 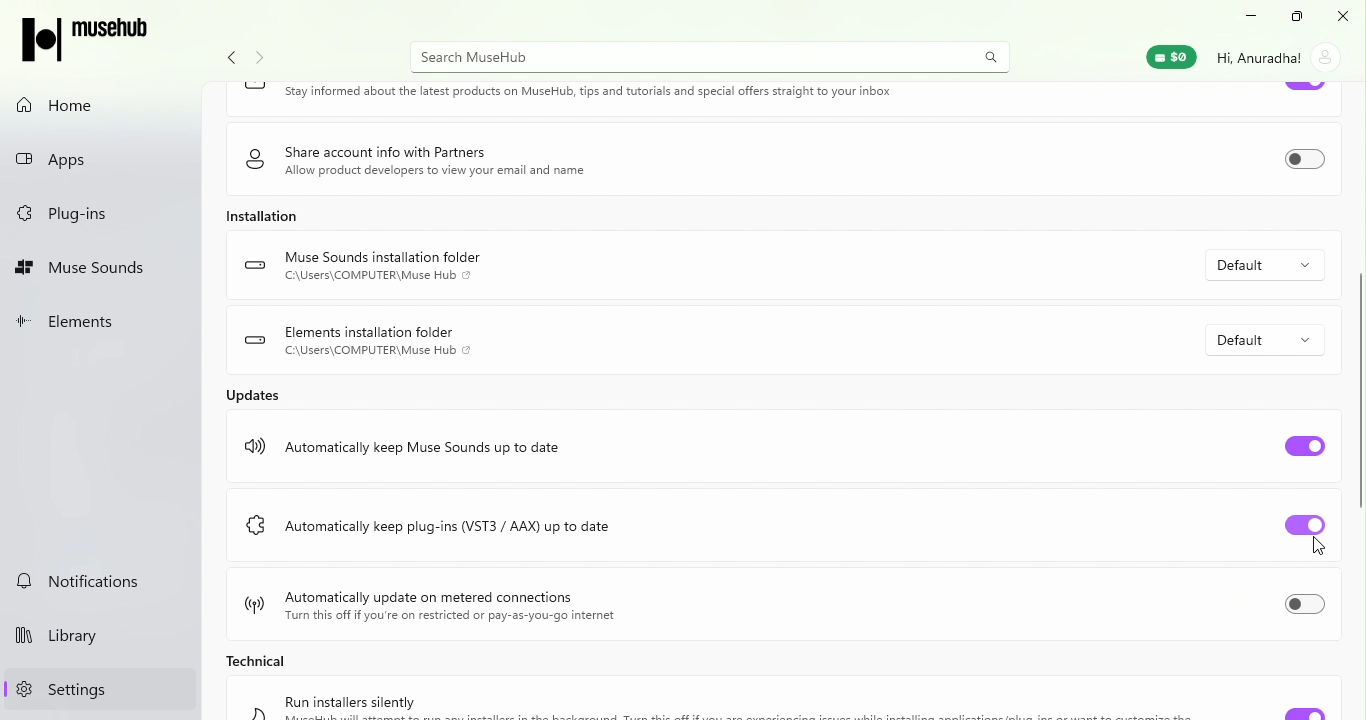 I want to click on Elements, so click(x=100, y=324).